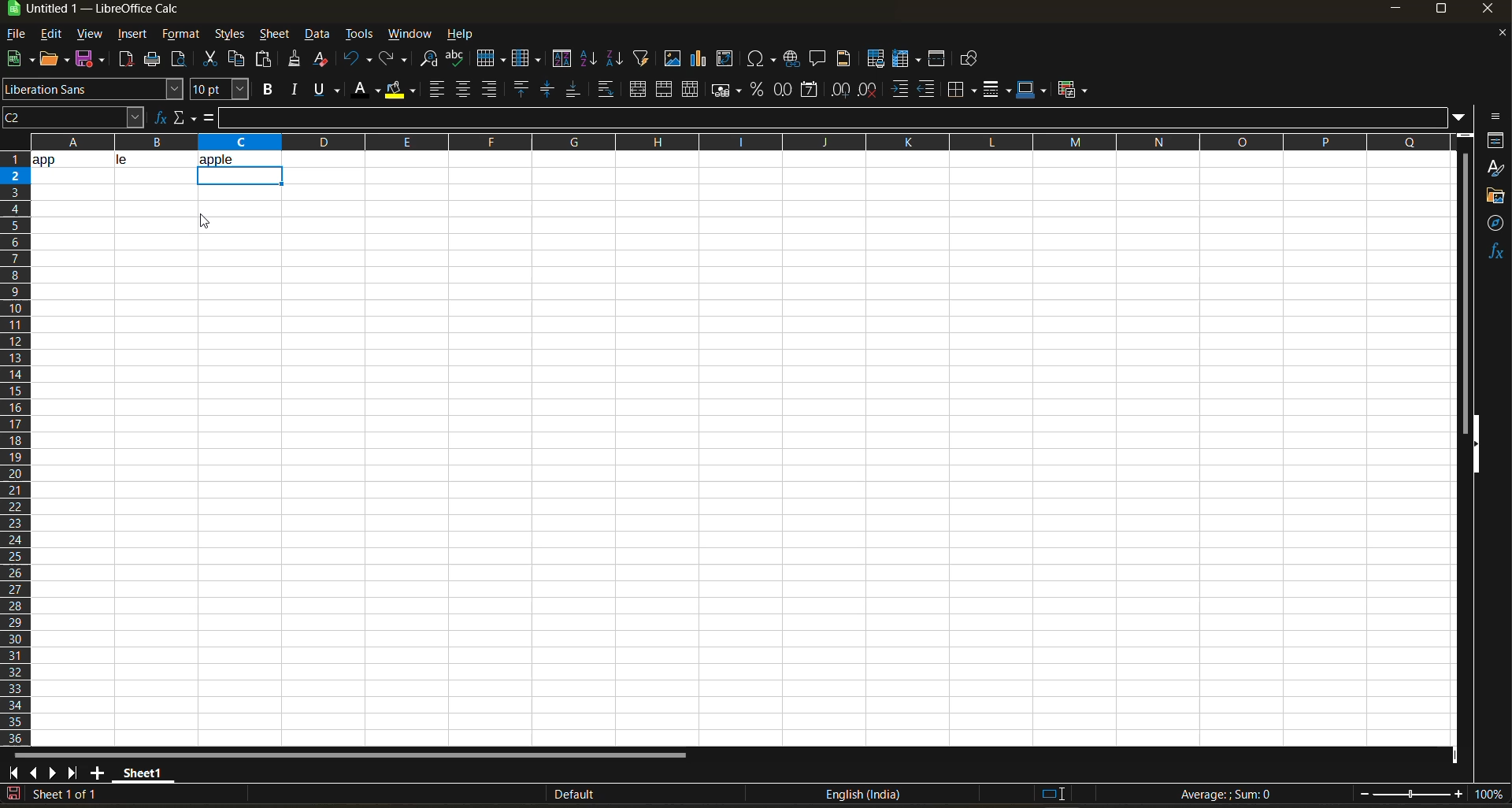  What do you see at coordinates (206, 221) in the screenshot?
I see `cursor` at bounding box center [206, 221].